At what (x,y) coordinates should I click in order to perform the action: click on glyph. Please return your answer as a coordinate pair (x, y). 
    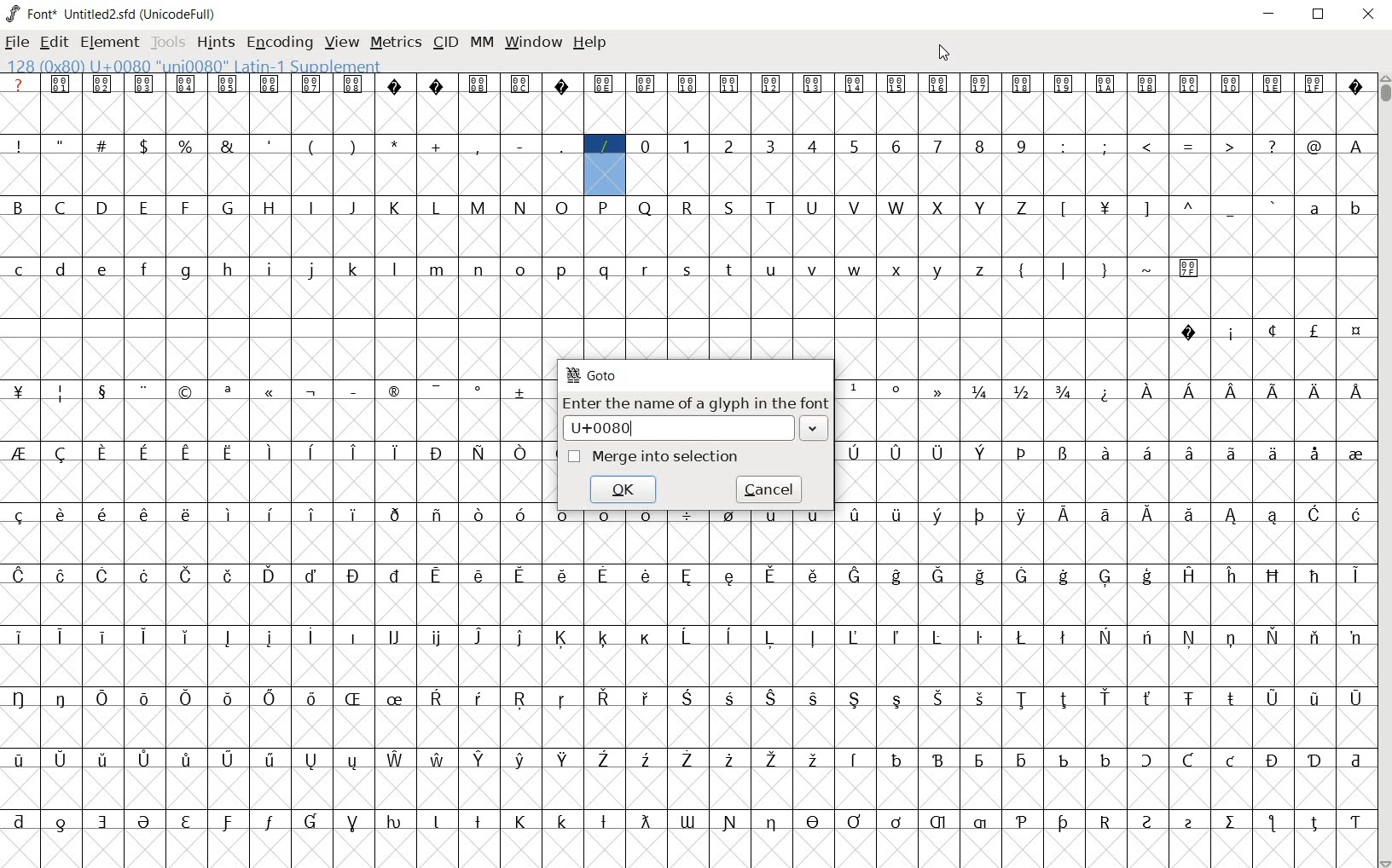
    Looking at the image, I should click on (61, 825).